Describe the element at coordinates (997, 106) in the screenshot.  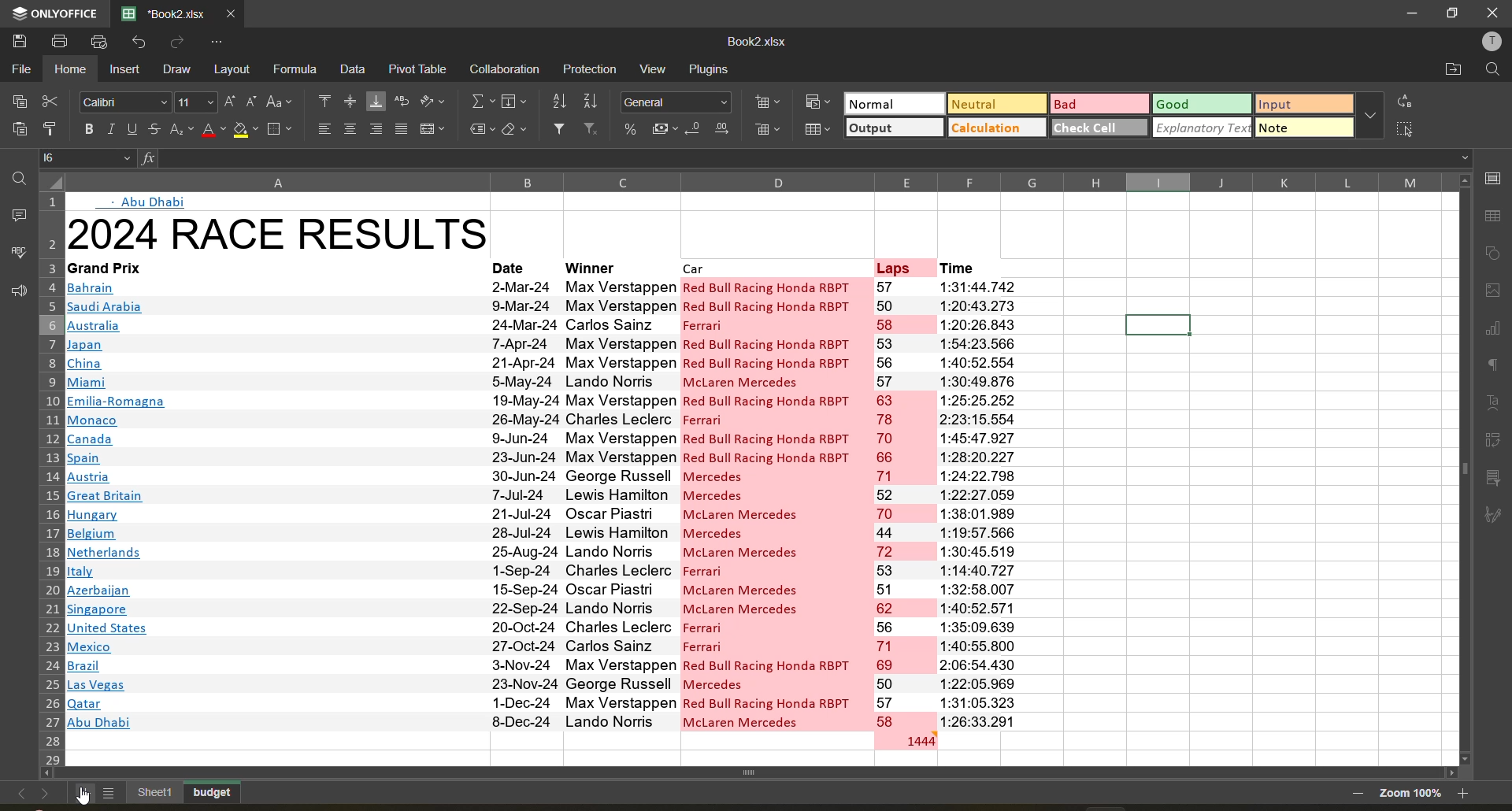
I see `neutral` at that location.